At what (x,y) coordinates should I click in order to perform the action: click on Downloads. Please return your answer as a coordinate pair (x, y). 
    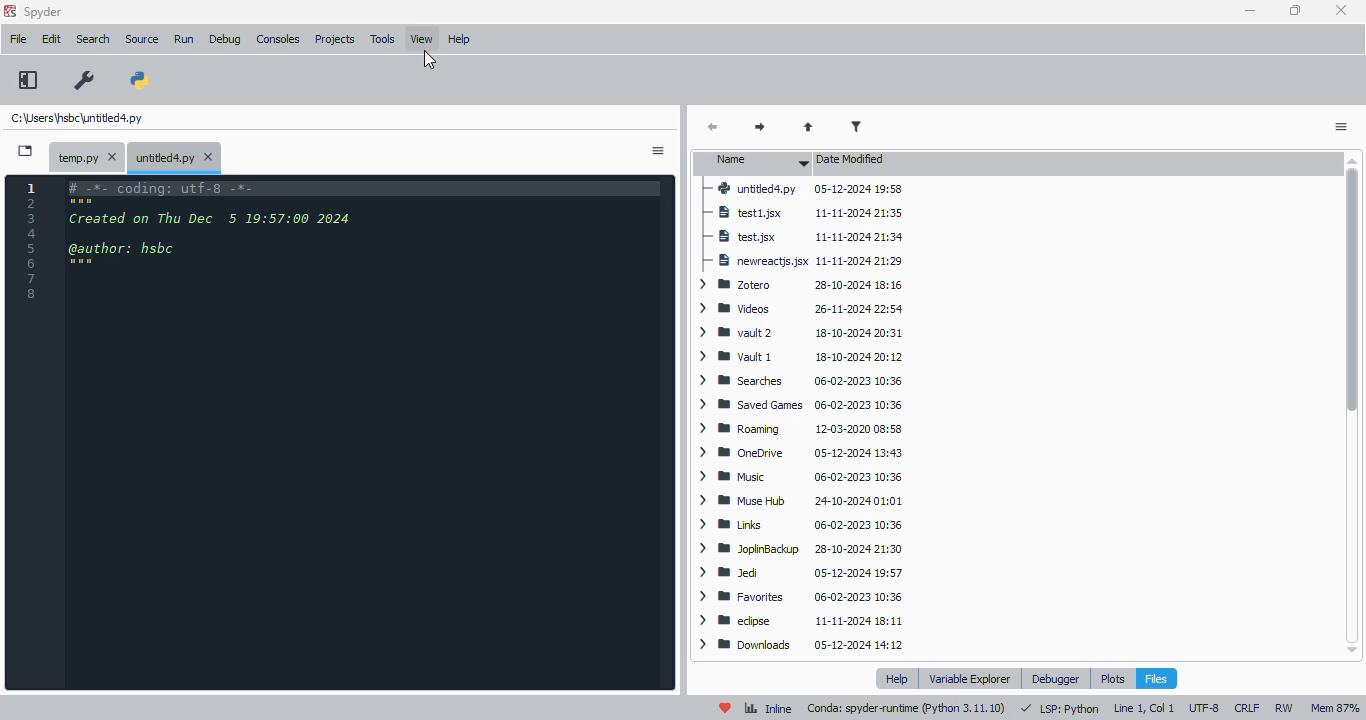
    Looking at the image, I should click on (800, 644).